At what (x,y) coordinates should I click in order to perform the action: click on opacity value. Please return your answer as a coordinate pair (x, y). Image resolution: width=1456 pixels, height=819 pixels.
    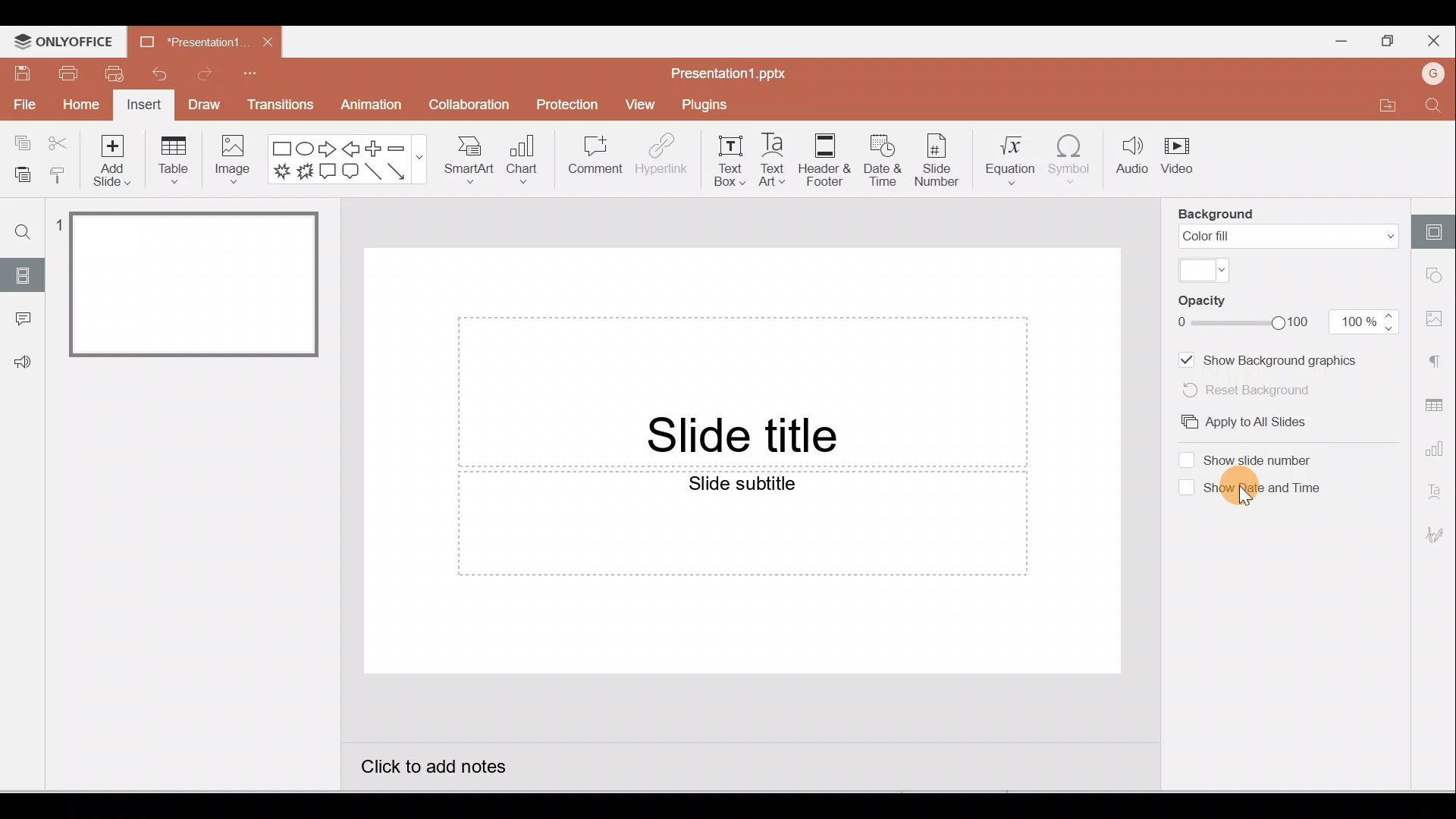
    Looking at the image, I should click on (1366, 322).